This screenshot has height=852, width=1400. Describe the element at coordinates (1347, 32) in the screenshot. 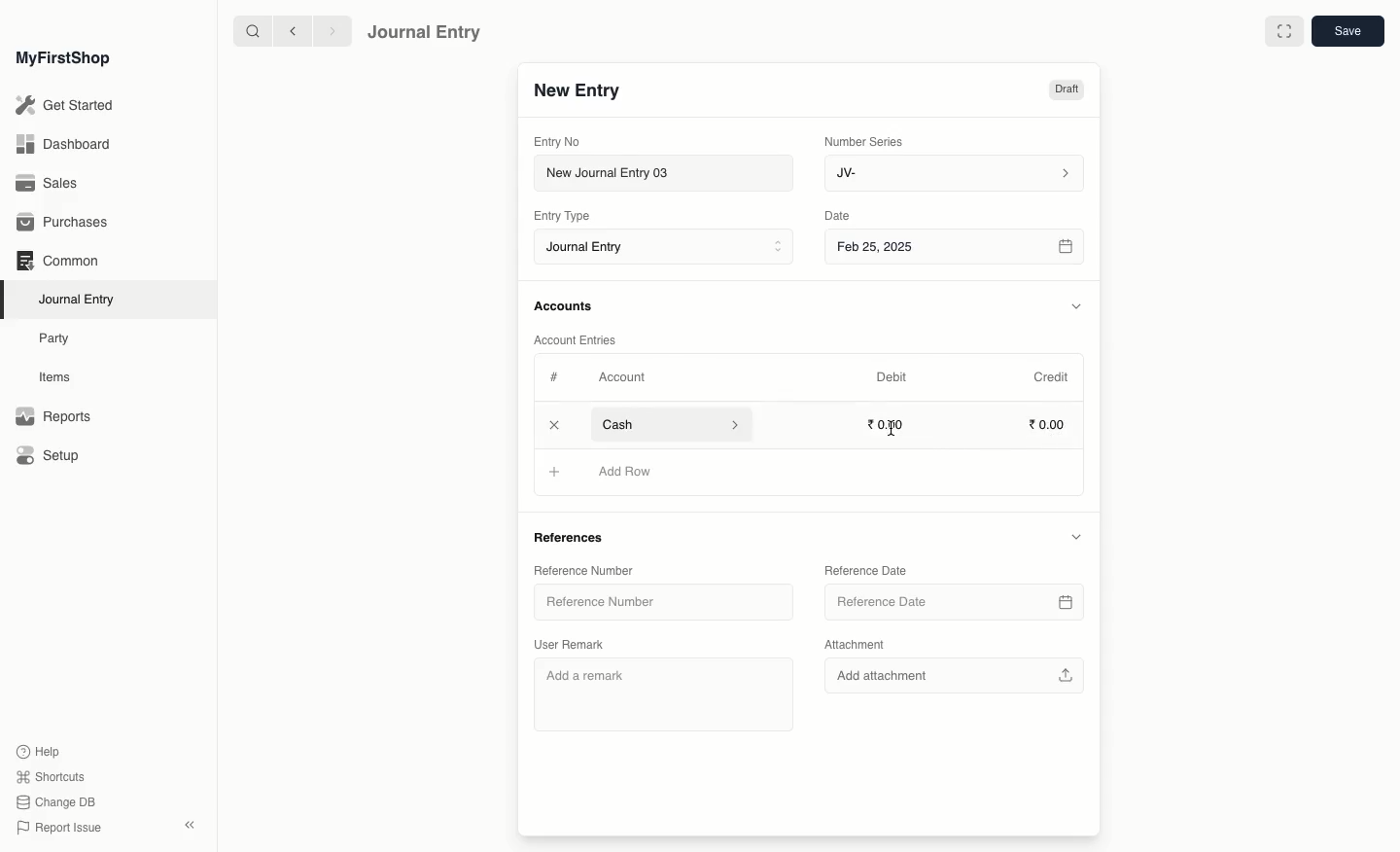

I see `save` at that location.